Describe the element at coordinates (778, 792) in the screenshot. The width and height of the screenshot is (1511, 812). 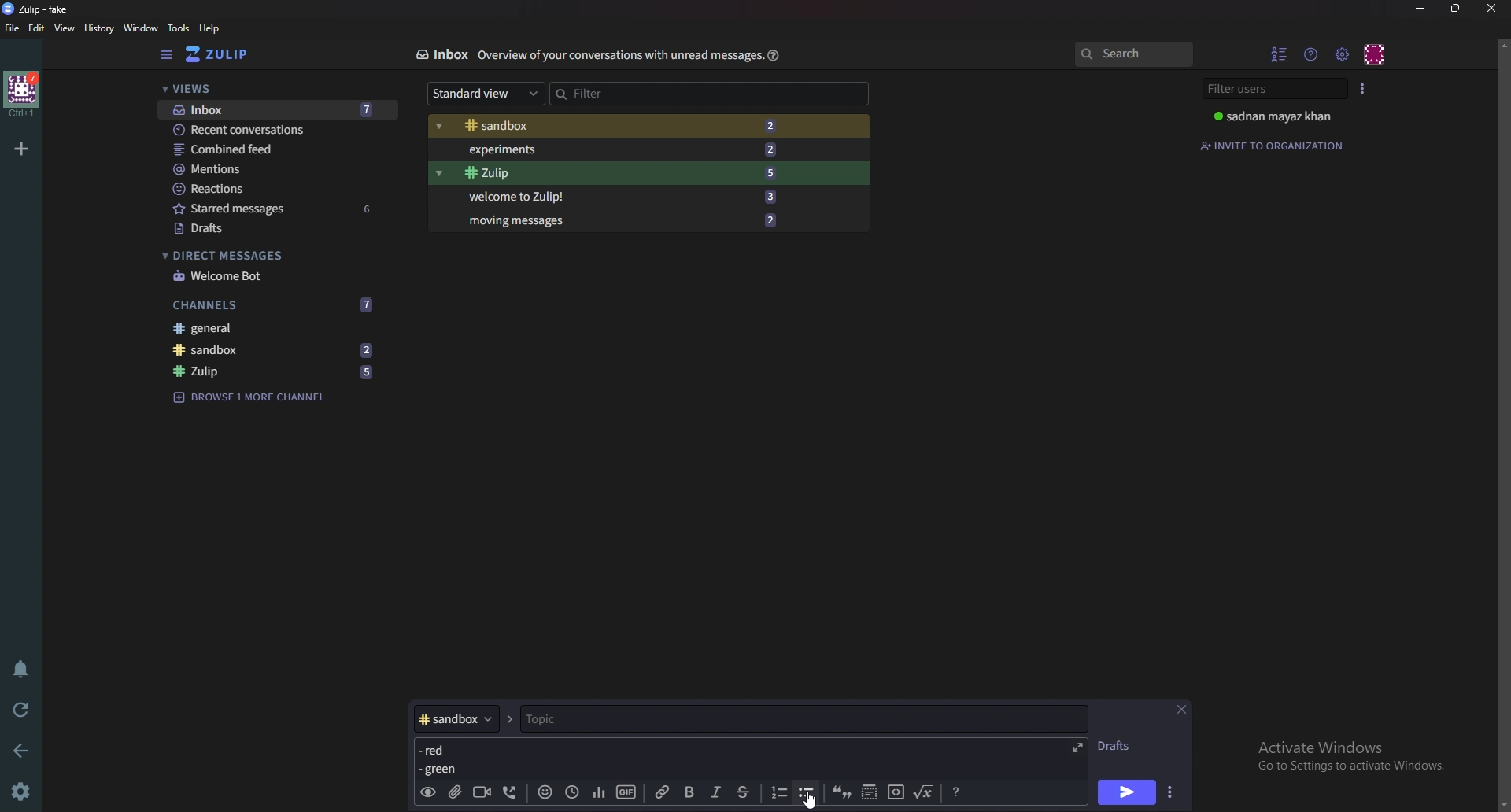
I see `Numbered list` at that location.